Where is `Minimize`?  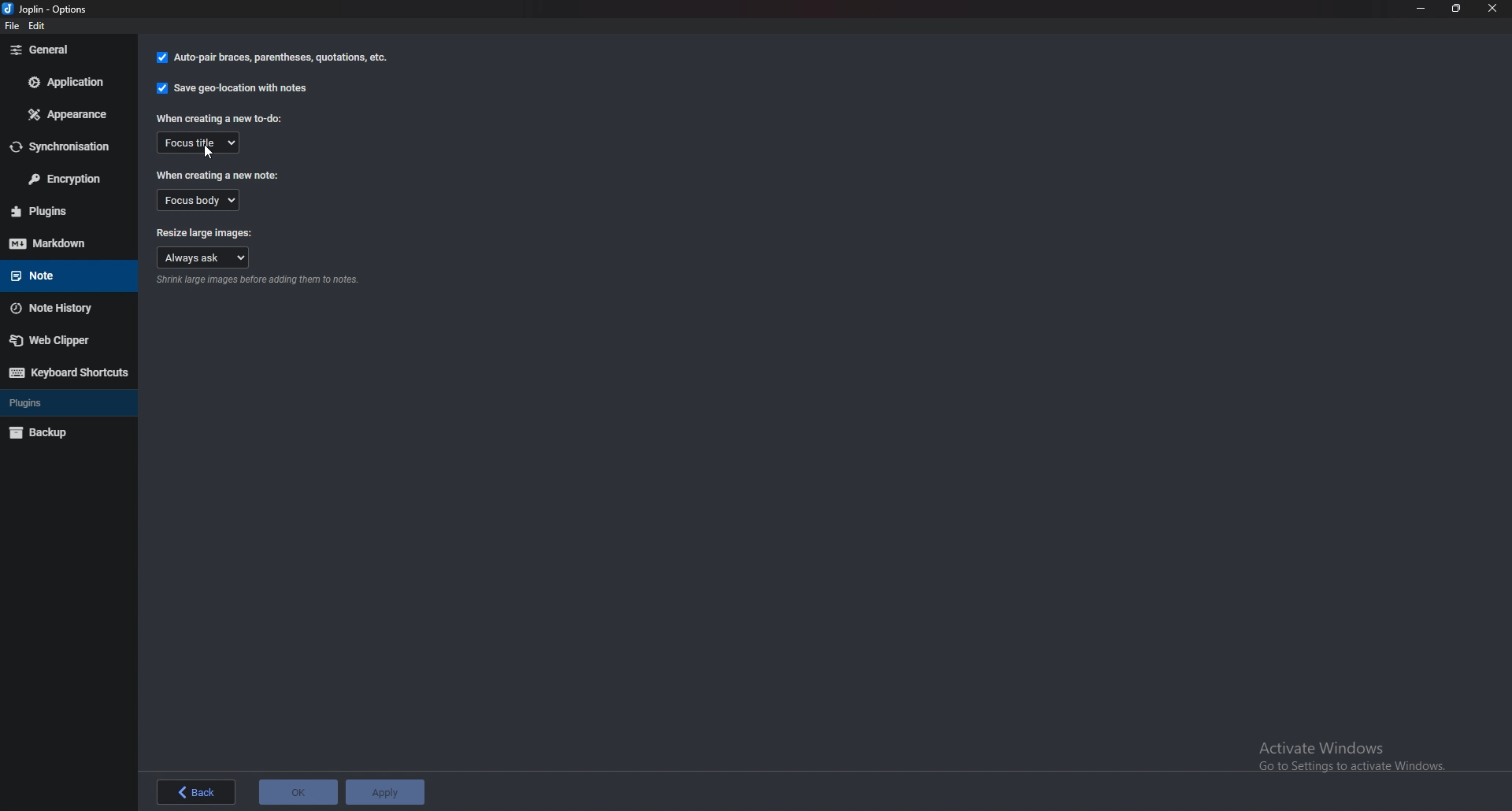 Minimize is located at coordinates (1421, 8).